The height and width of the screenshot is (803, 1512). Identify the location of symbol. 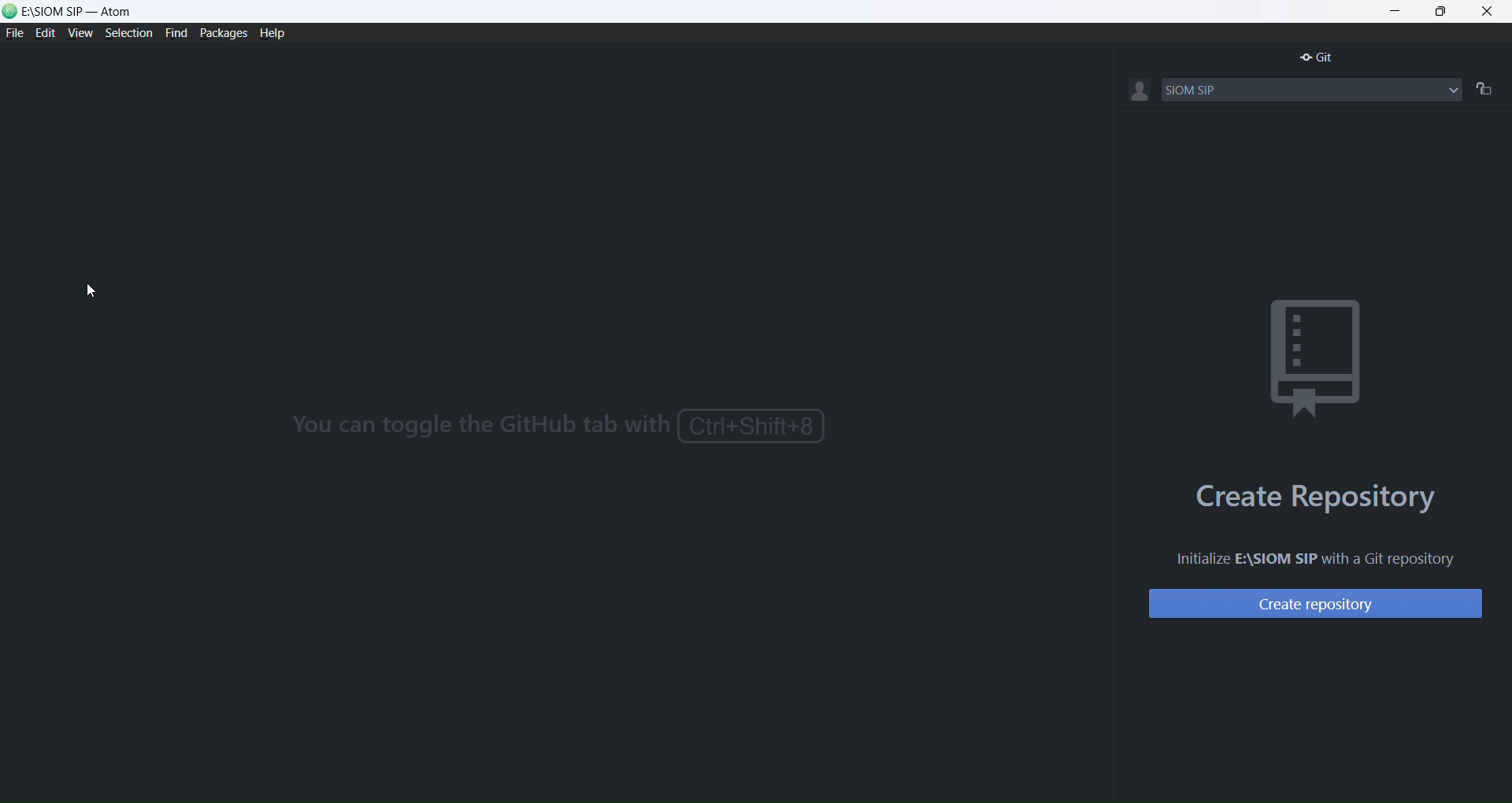
(1310, 352).